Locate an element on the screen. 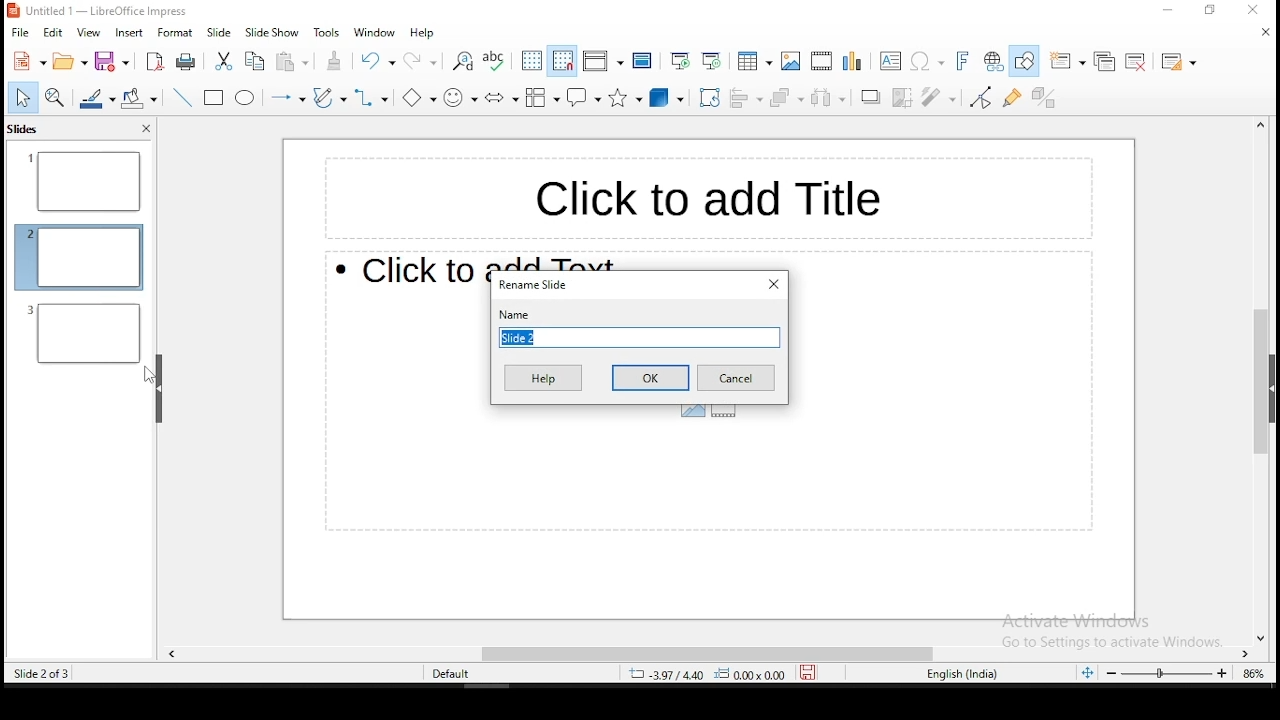 Image resolution: width=1280 pixels, height=720 pixels. tables is located at coordinates (756, 61).